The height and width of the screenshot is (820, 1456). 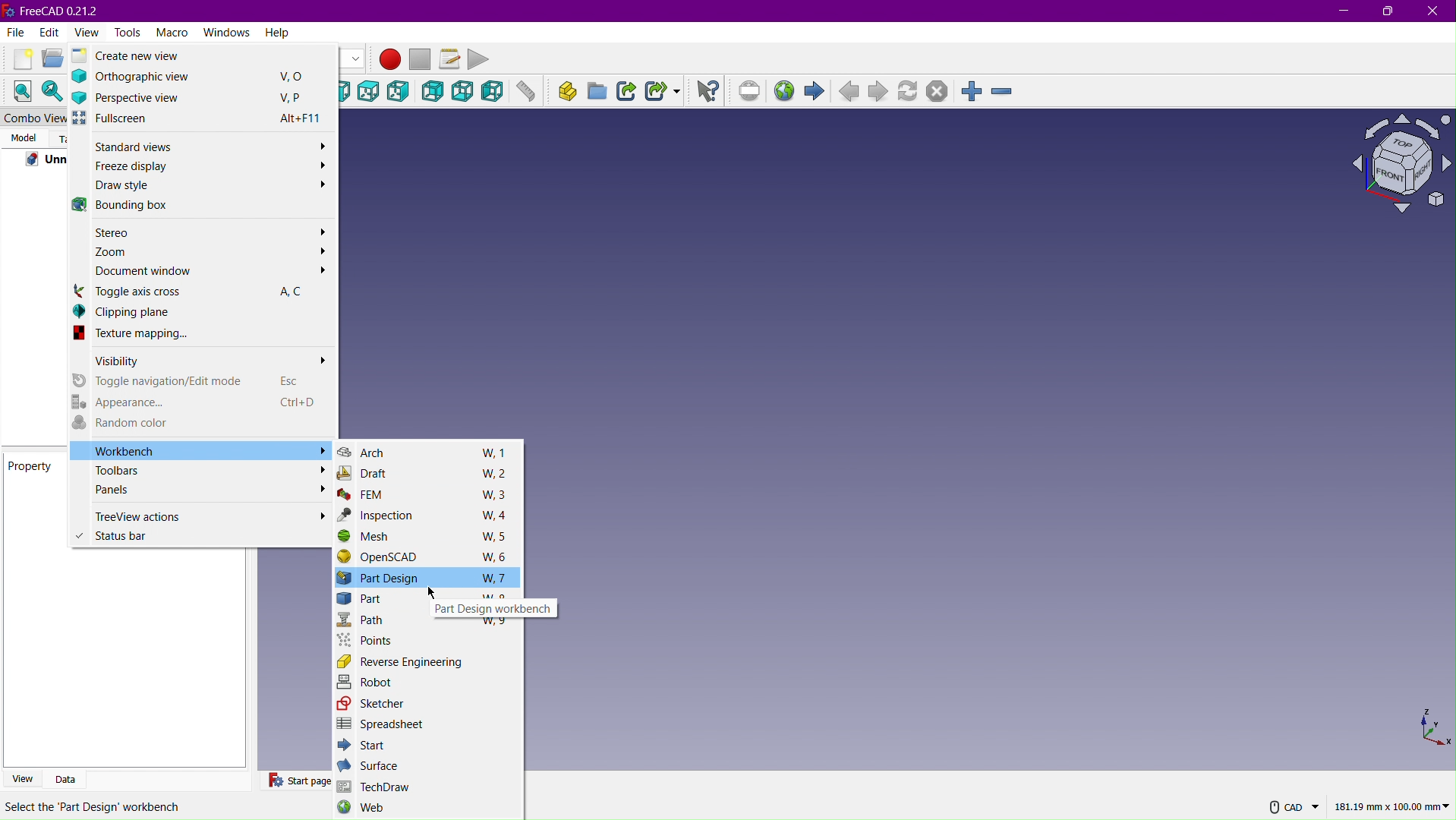 What do you see at coordinates (132, 32) in the screenshot?
I see `Tools` at bounding box center [132, 32].